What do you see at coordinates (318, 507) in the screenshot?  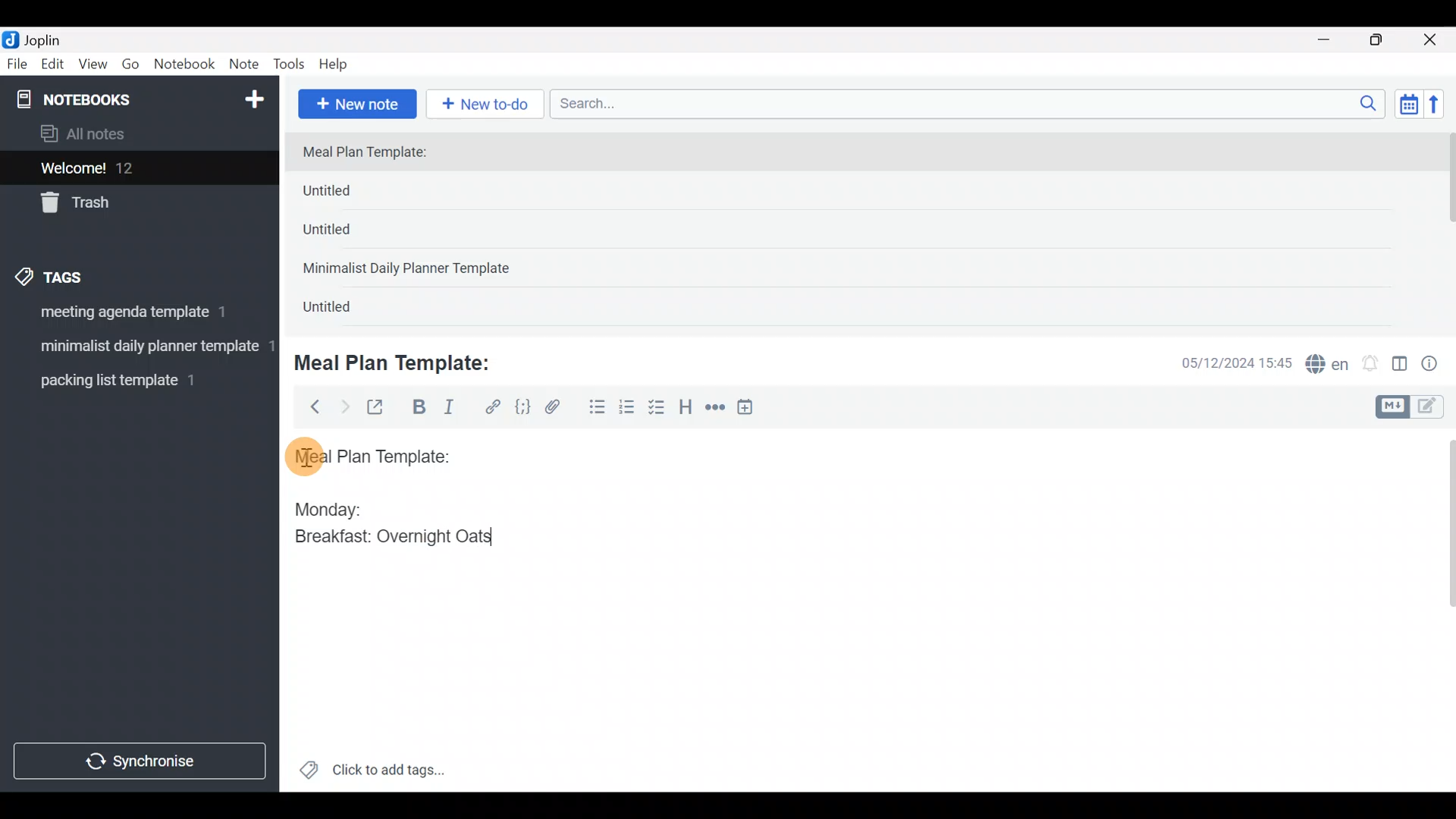 I see `Monday:` at bounding box center [318, 507].